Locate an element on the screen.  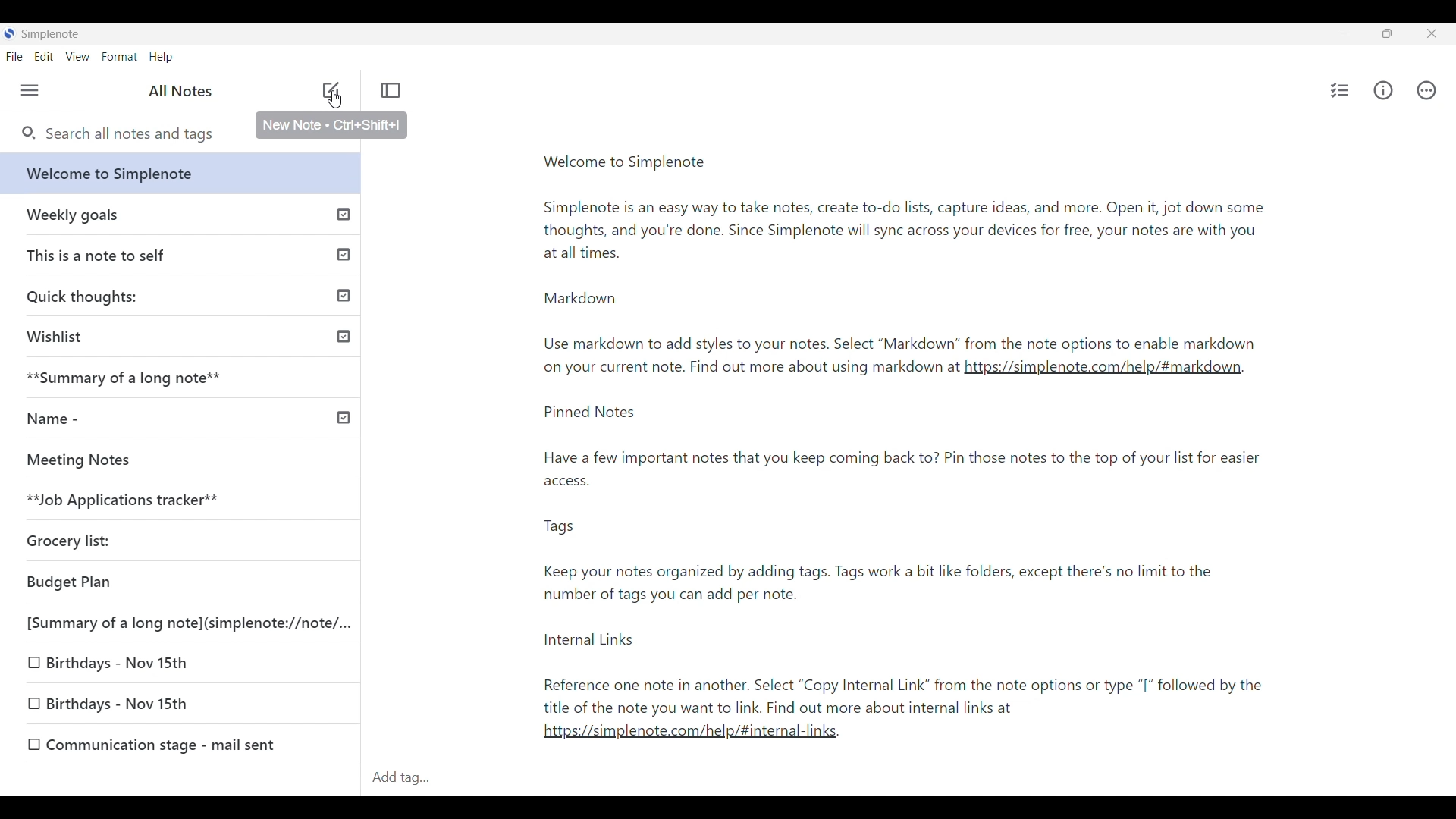
Unpublished note is located at coordinates (122, 702).